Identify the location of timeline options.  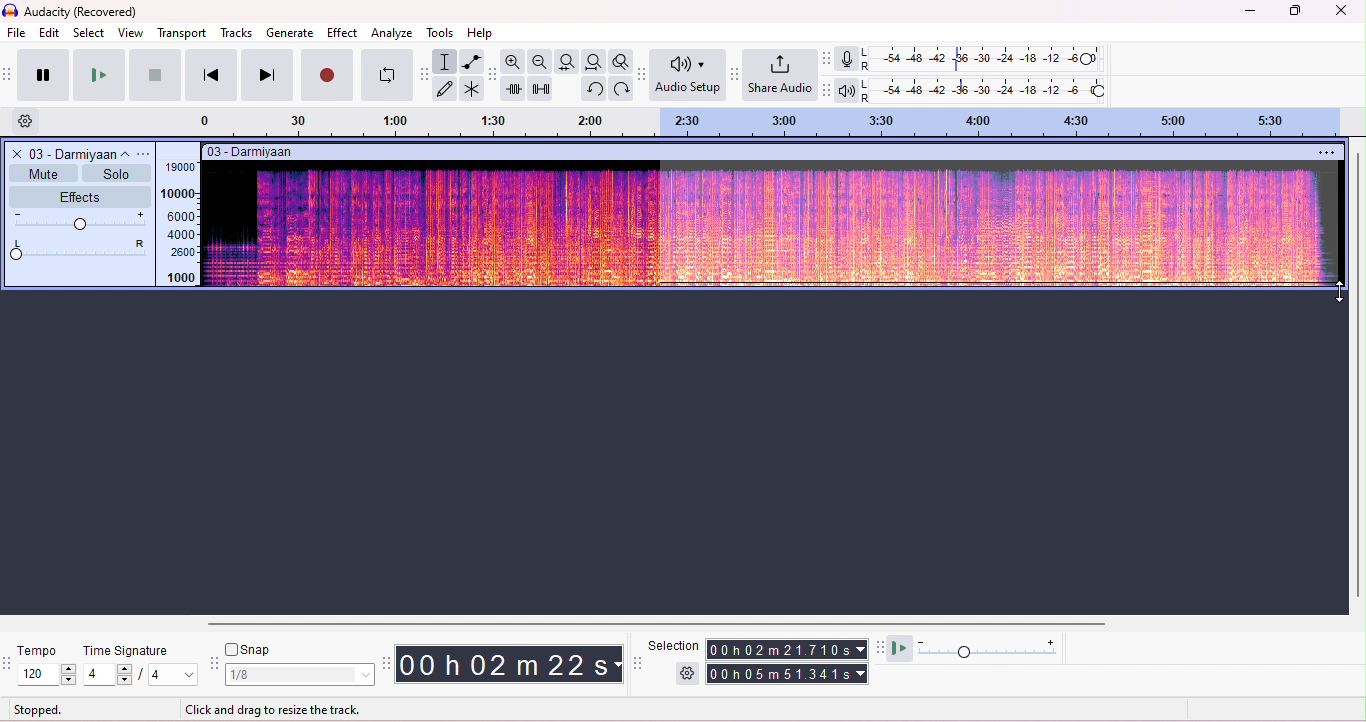
(27, 122).